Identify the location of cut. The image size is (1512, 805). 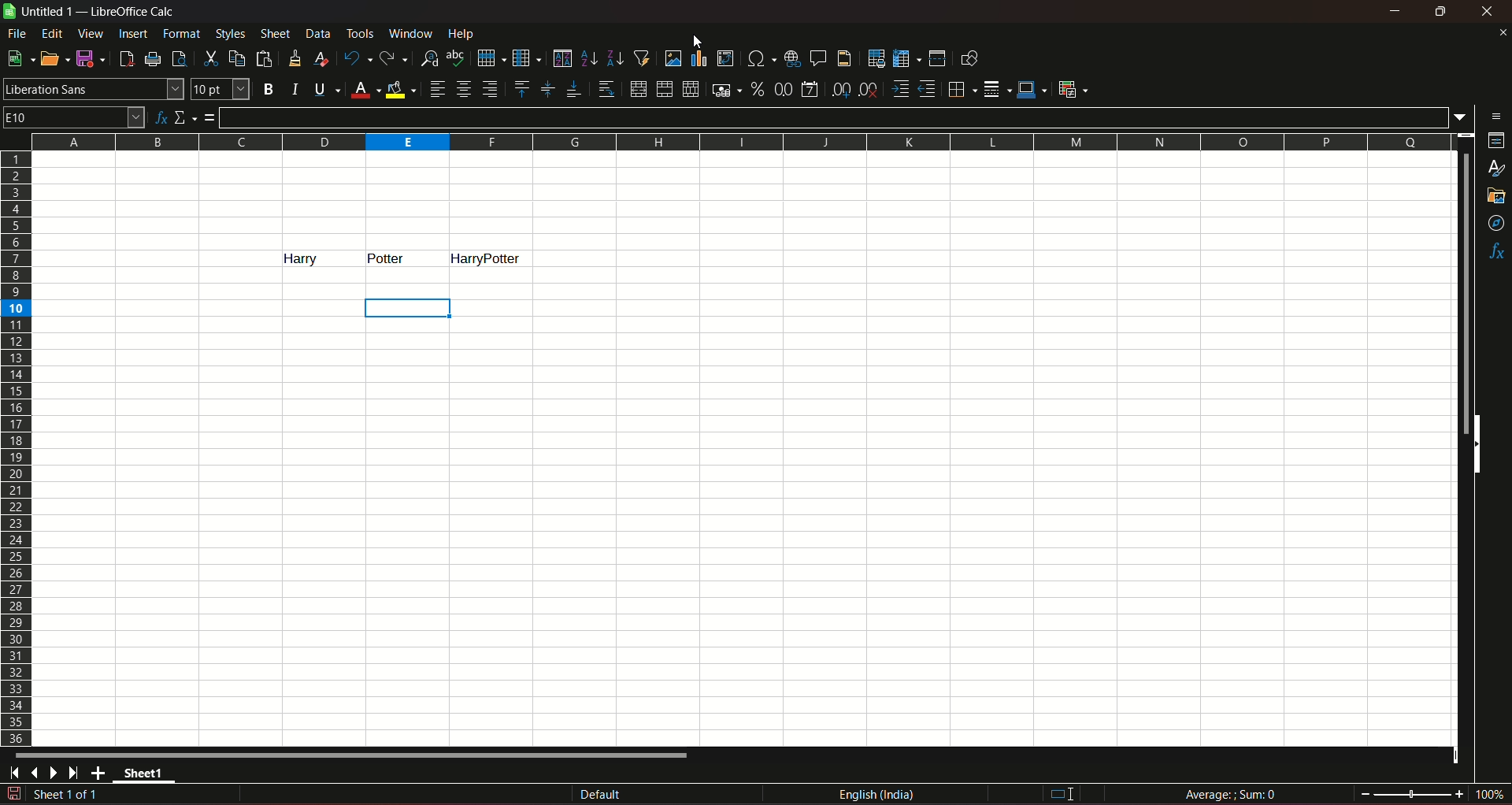
(209, 58).